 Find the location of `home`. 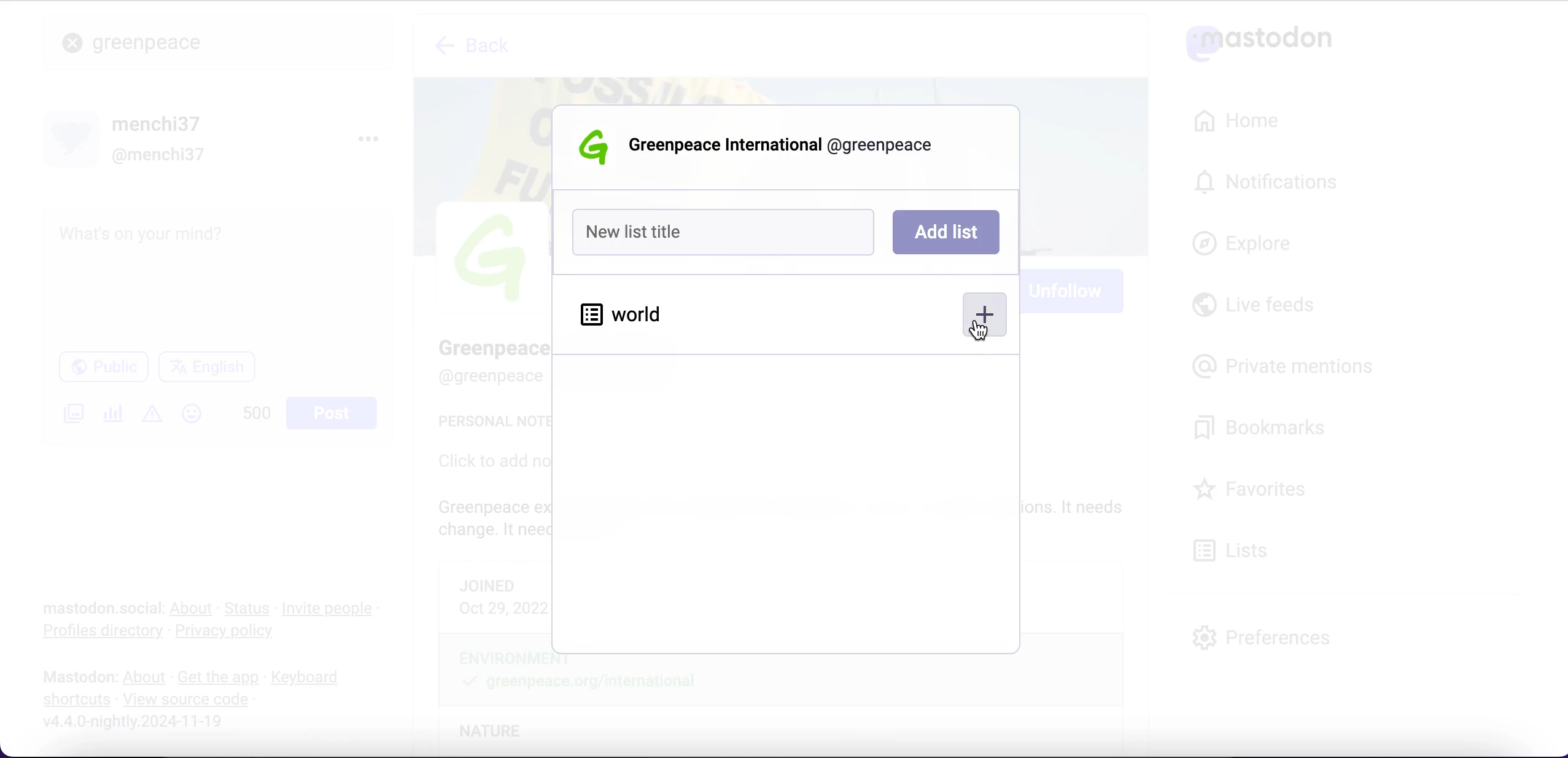

home is located at coordinates (1234, 121).